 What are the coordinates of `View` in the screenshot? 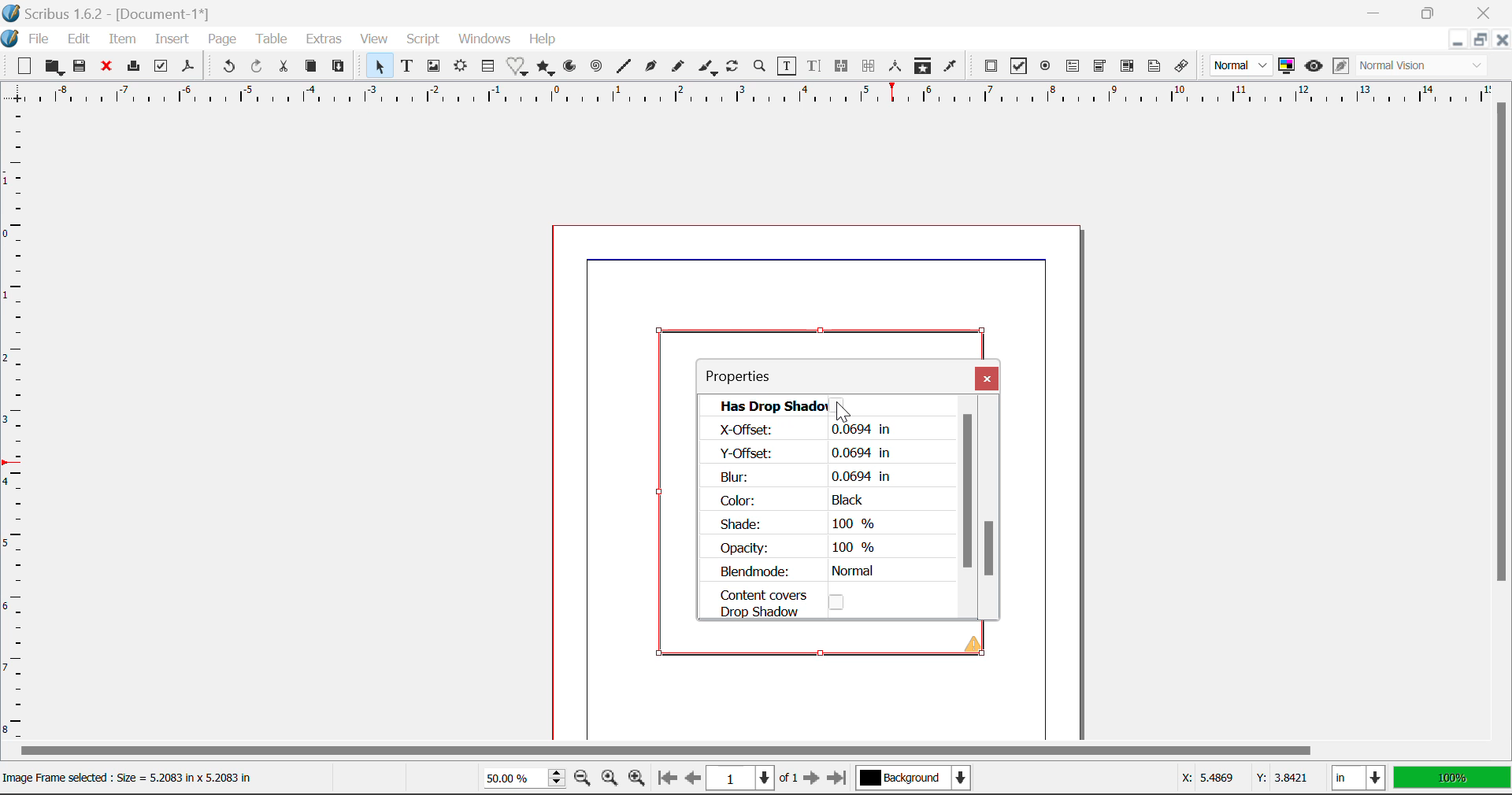 It's located at (376, 40).